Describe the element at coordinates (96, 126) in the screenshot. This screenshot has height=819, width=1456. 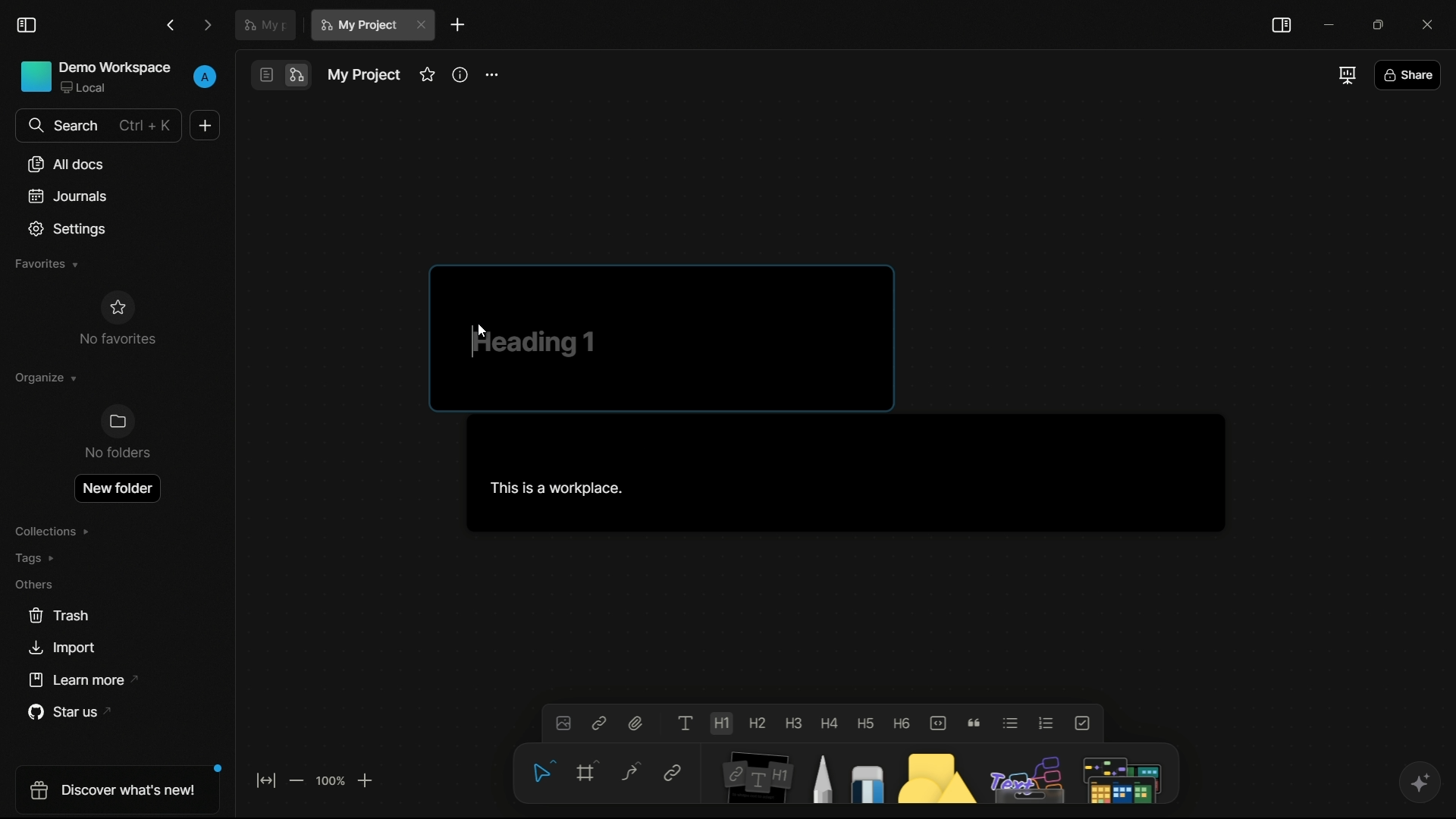
I see `search bar` at that location.